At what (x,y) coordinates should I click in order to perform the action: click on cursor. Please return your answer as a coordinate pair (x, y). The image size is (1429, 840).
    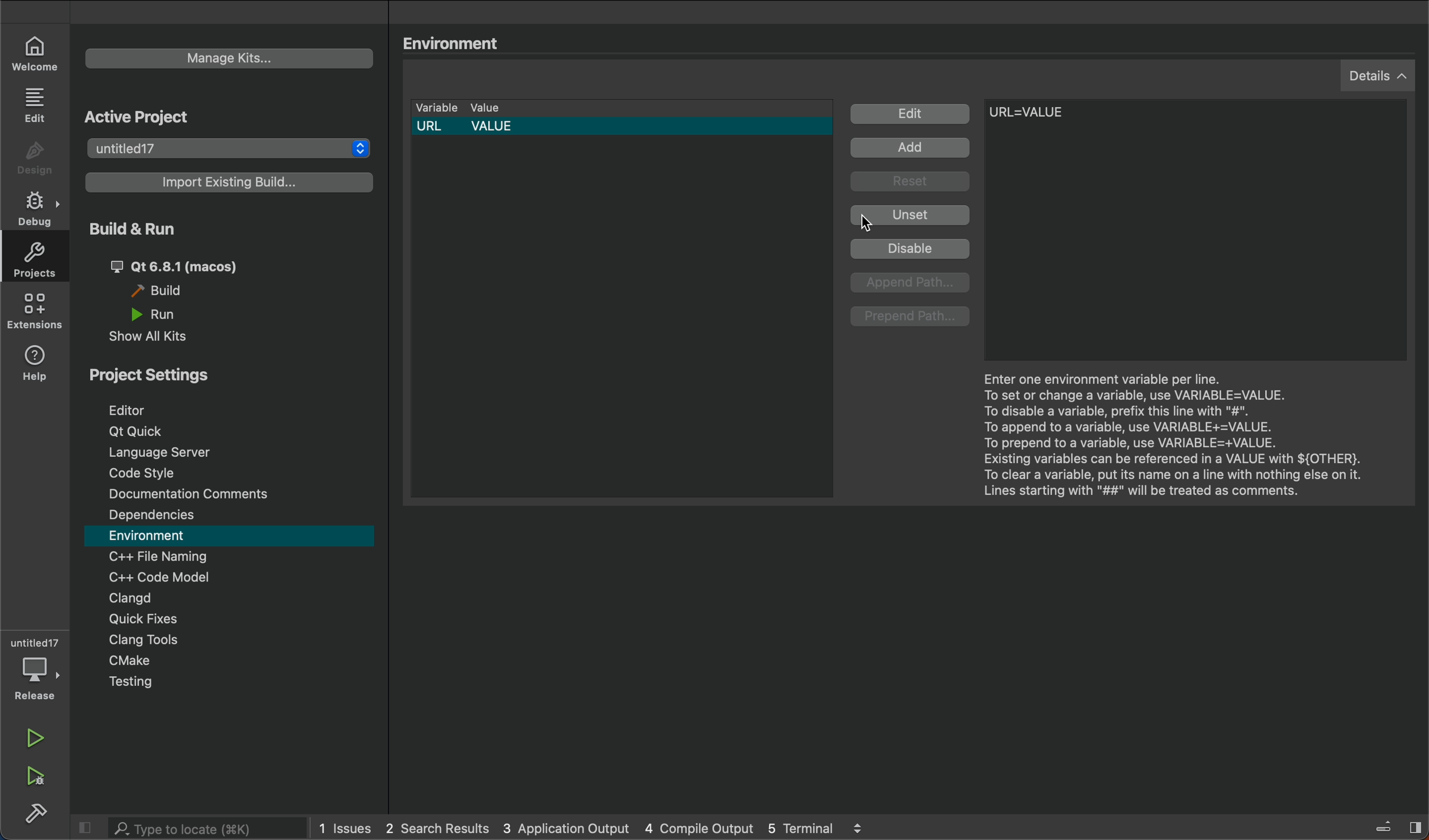
    Looking at the image, I should click on (882, 223).